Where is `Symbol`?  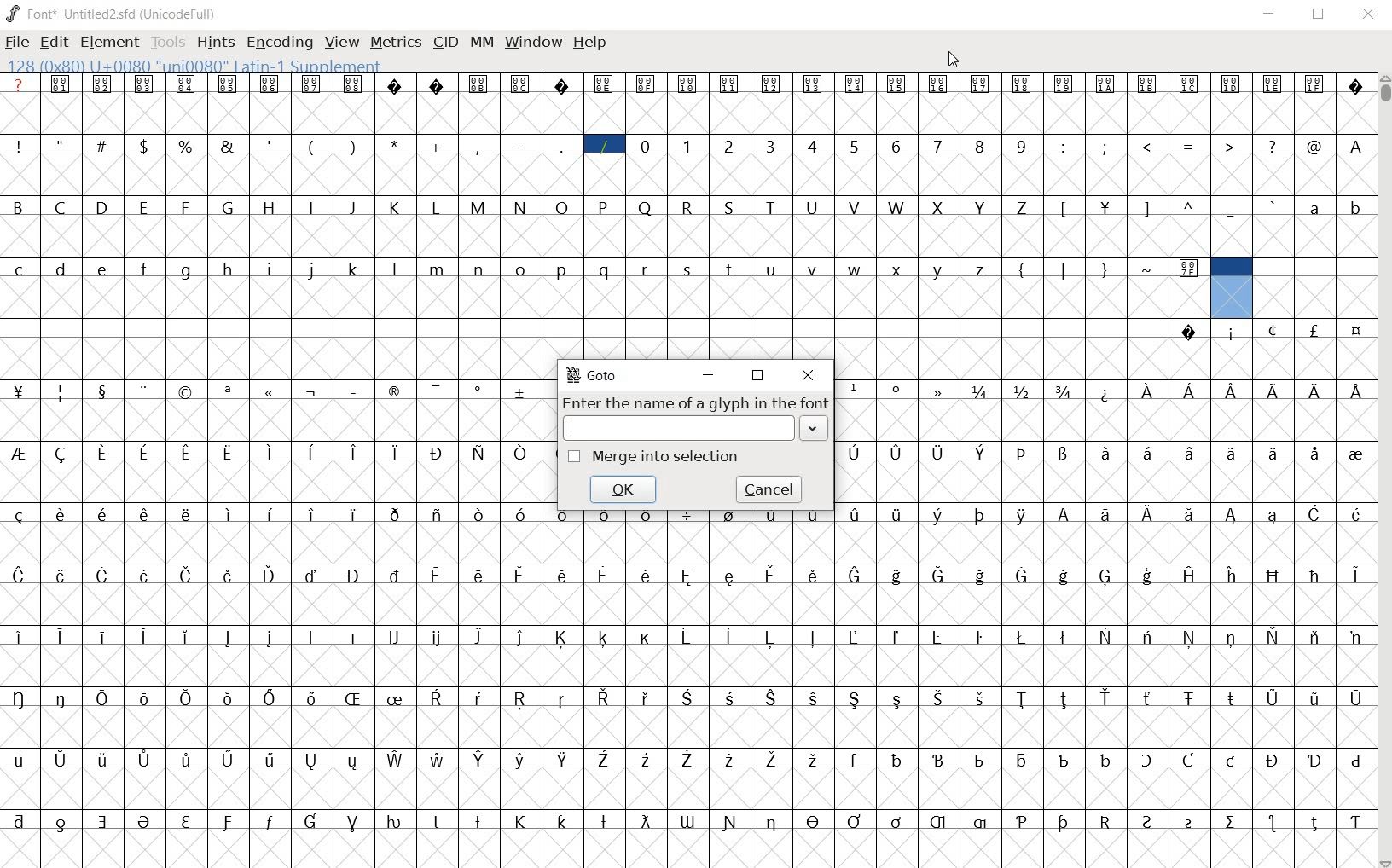
Symbol is located at coordinates (1354, 576).